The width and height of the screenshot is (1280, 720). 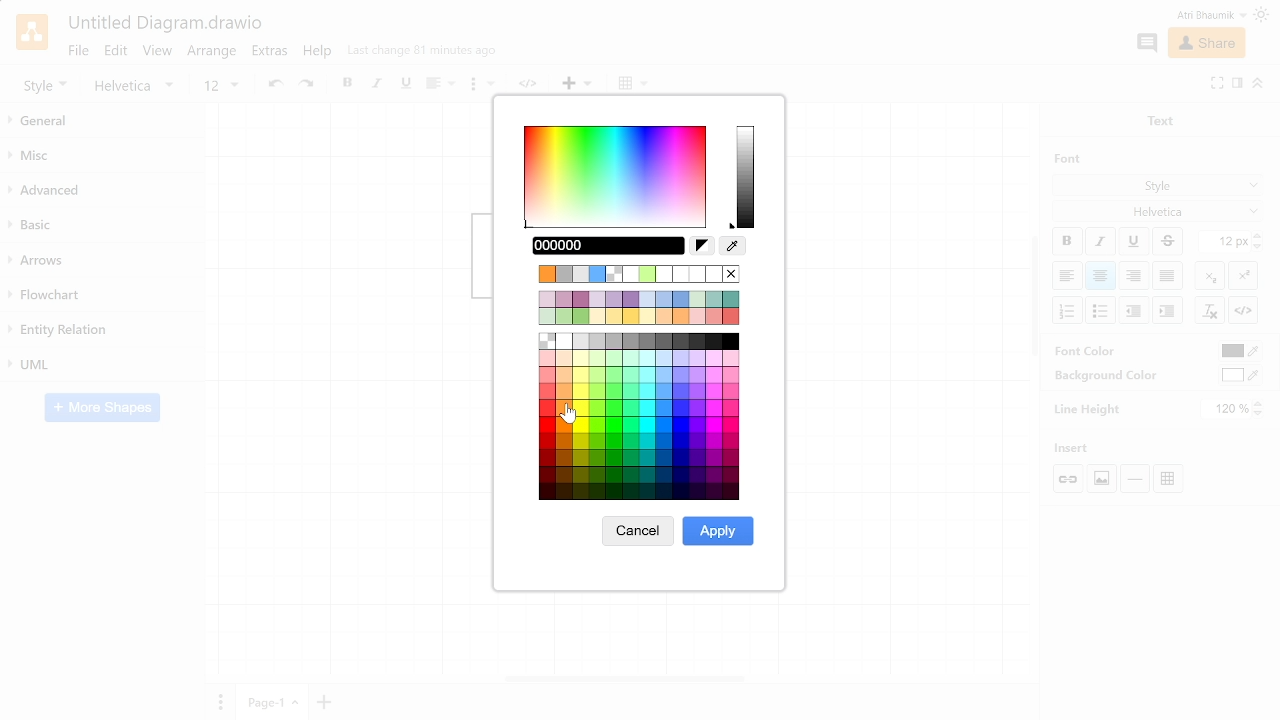 What do you see at coordinates (1167, 310) in the screenshot?
I see `Decrease indent` at bounding box center [1167, 310].